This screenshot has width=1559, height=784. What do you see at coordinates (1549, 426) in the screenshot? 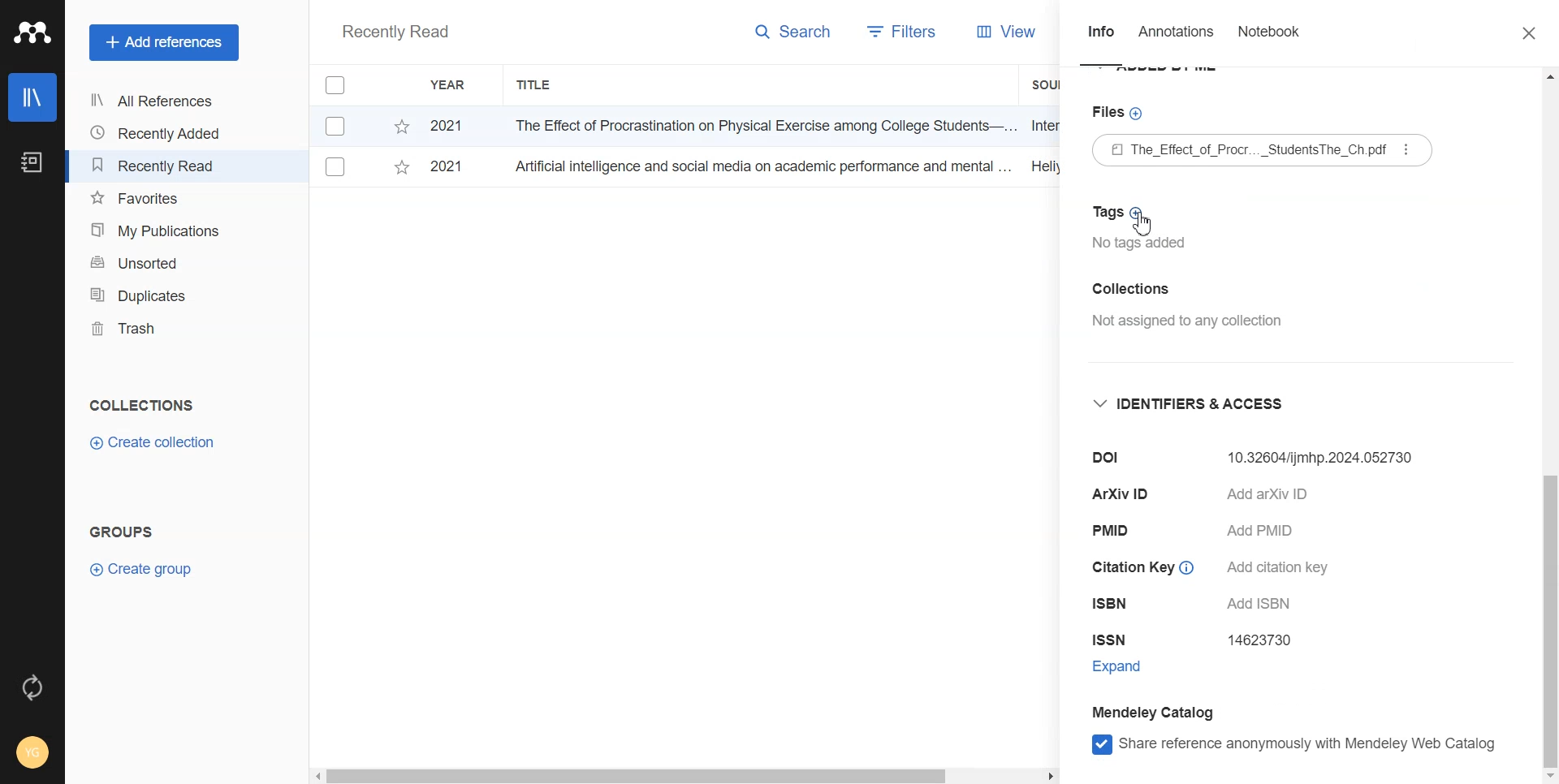
I see `Vertical scroll bar` at bounding box center [1549, 426].